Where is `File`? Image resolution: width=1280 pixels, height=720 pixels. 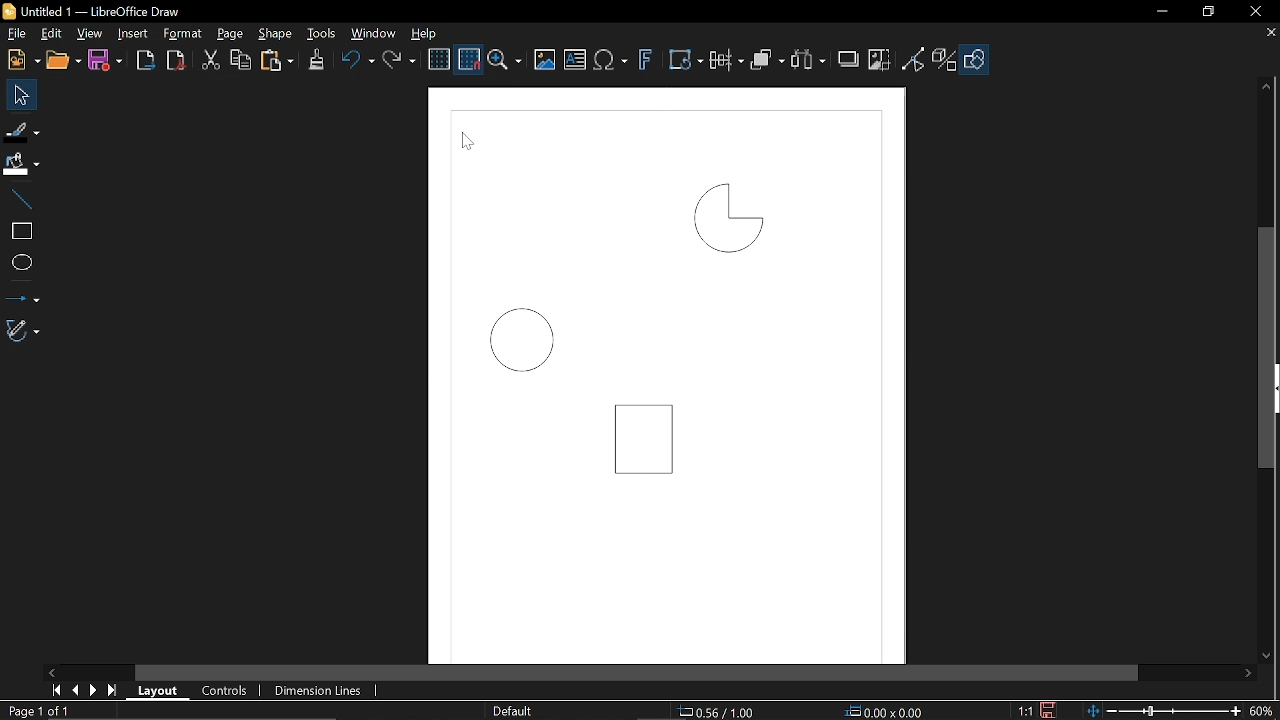 File is located at coordinates (17, 32).